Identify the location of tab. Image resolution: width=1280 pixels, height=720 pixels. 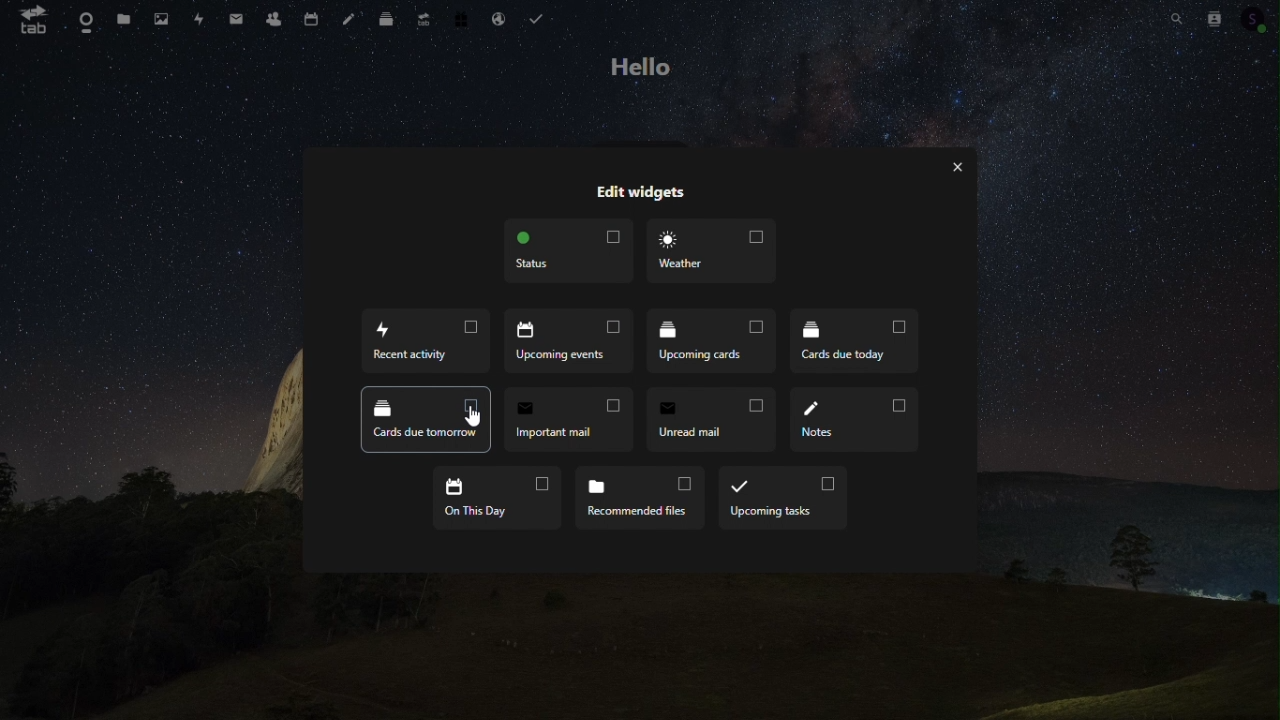
(27, 21).